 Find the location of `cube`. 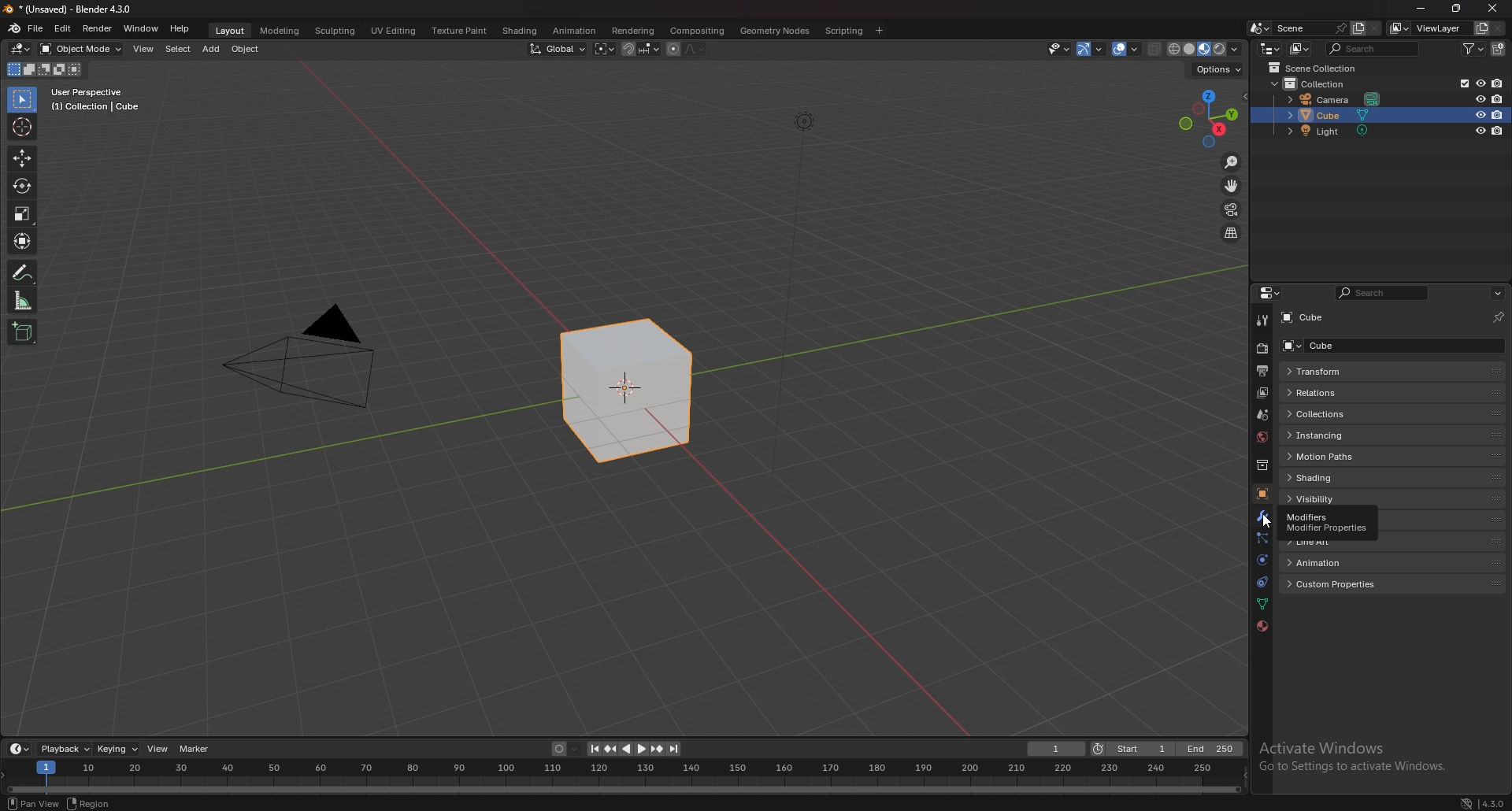

cube is located at coordinates (1325, 317).